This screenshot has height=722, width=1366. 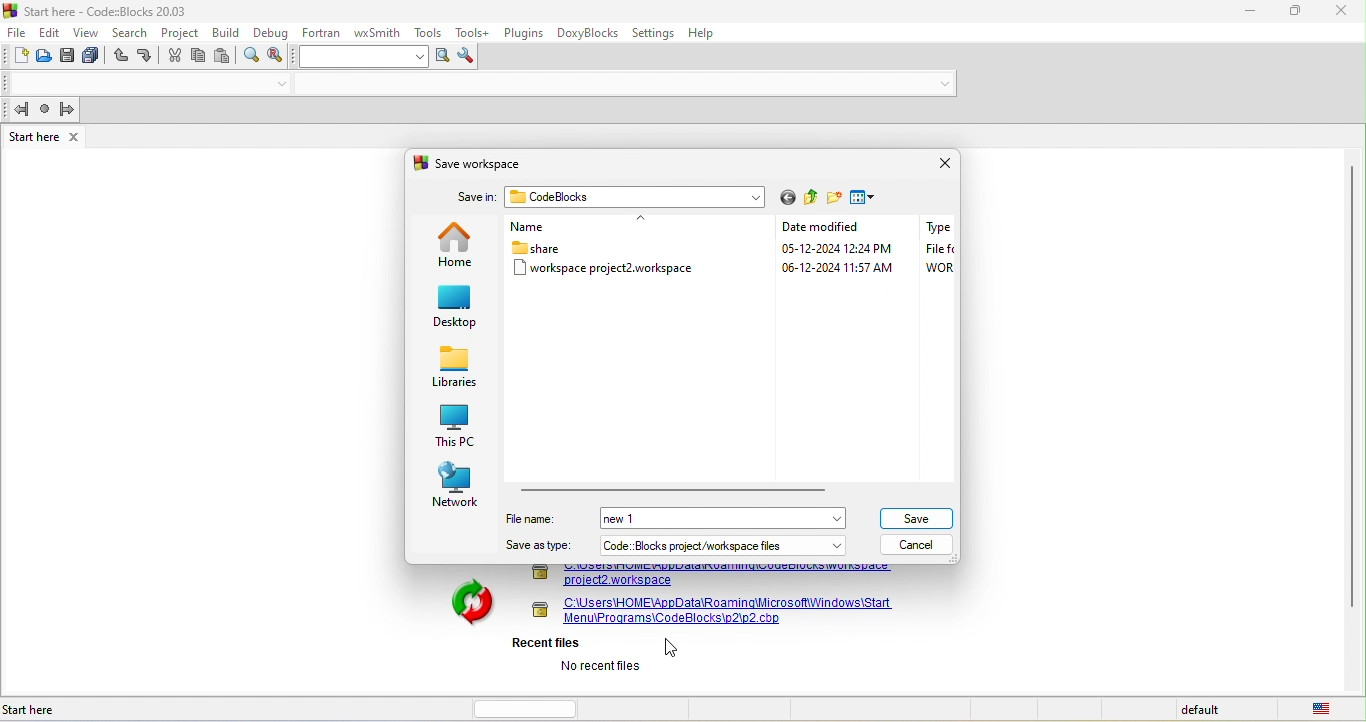 What do you see at coordinates (45, 111) in the screenshot?
I see `last jump` at bounding box center [45, 111].